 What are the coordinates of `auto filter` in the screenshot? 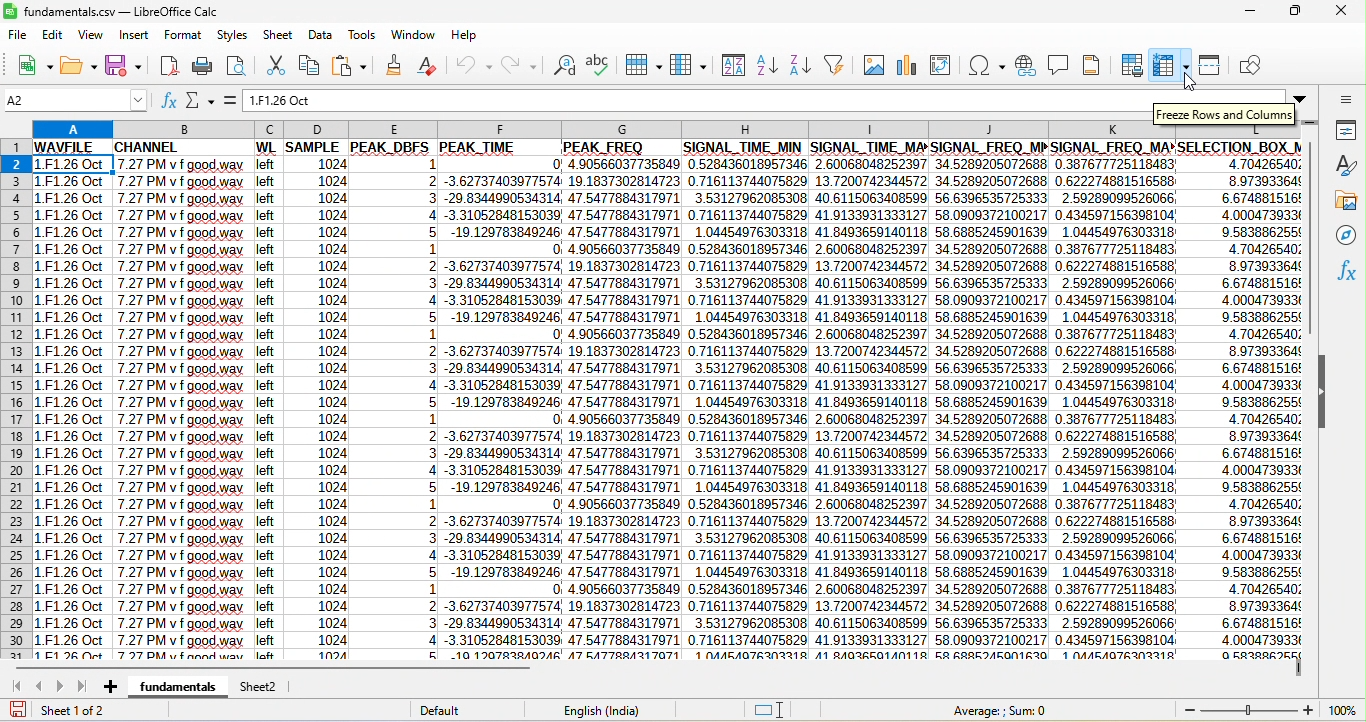 It's located at (833, 65).